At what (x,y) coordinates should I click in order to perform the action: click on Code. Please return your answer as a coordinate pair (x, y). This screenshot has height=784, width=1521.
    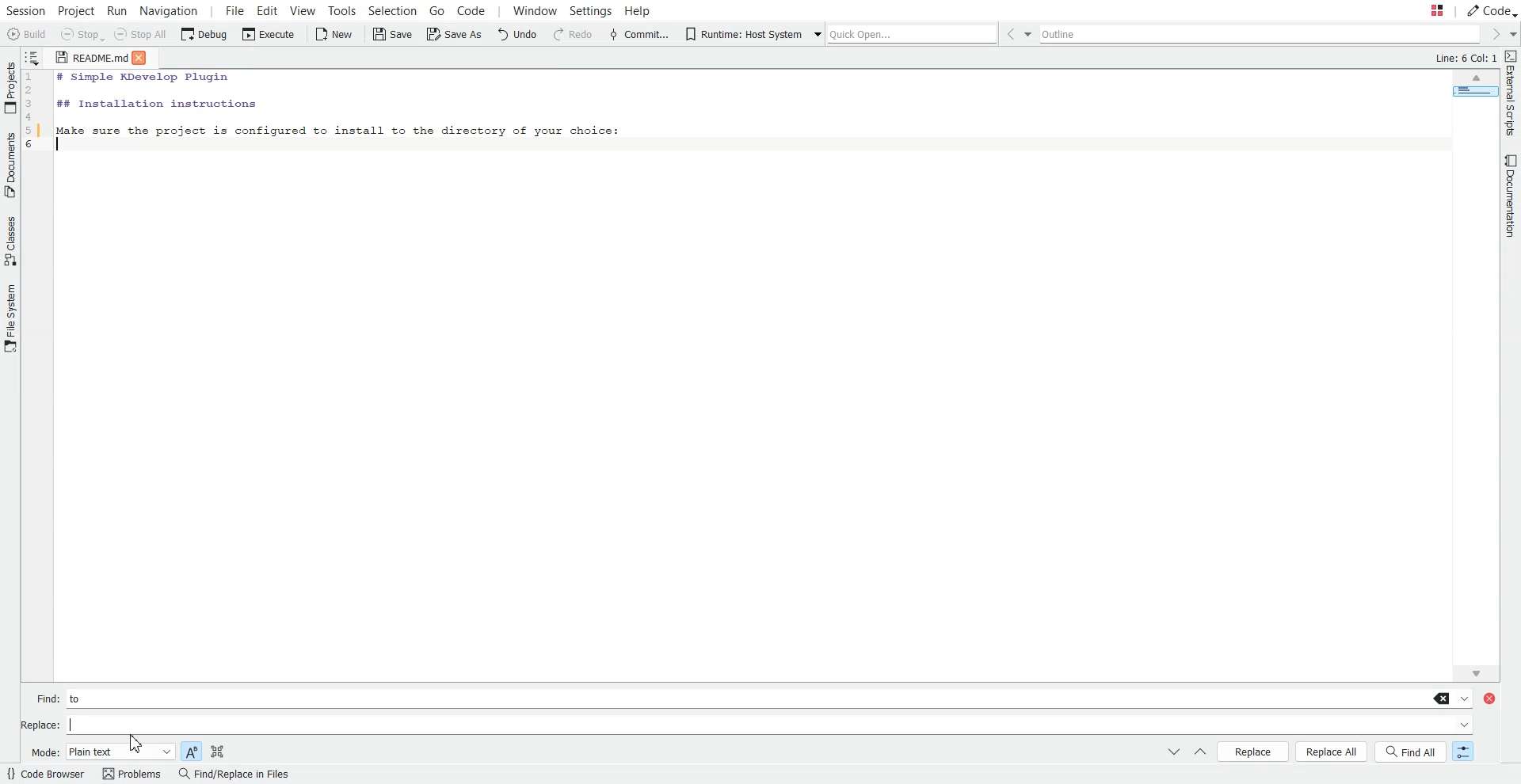
    Looking at the image, I should click on (1491, 10).